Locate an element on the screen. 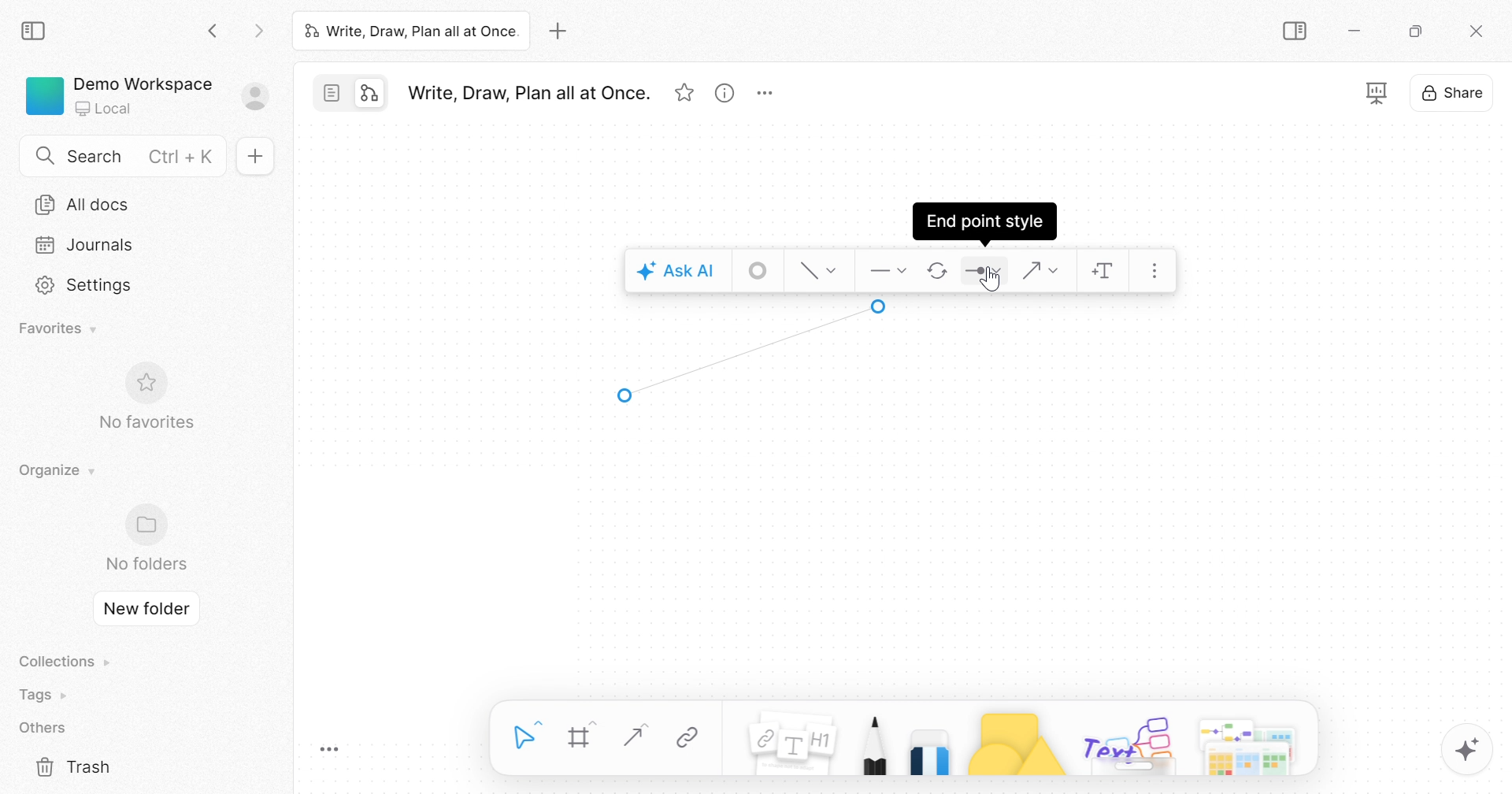 This screenshot has height=794, width=1512. Write, Draw, Plan all at Once. is located at coordinates (528, 93).